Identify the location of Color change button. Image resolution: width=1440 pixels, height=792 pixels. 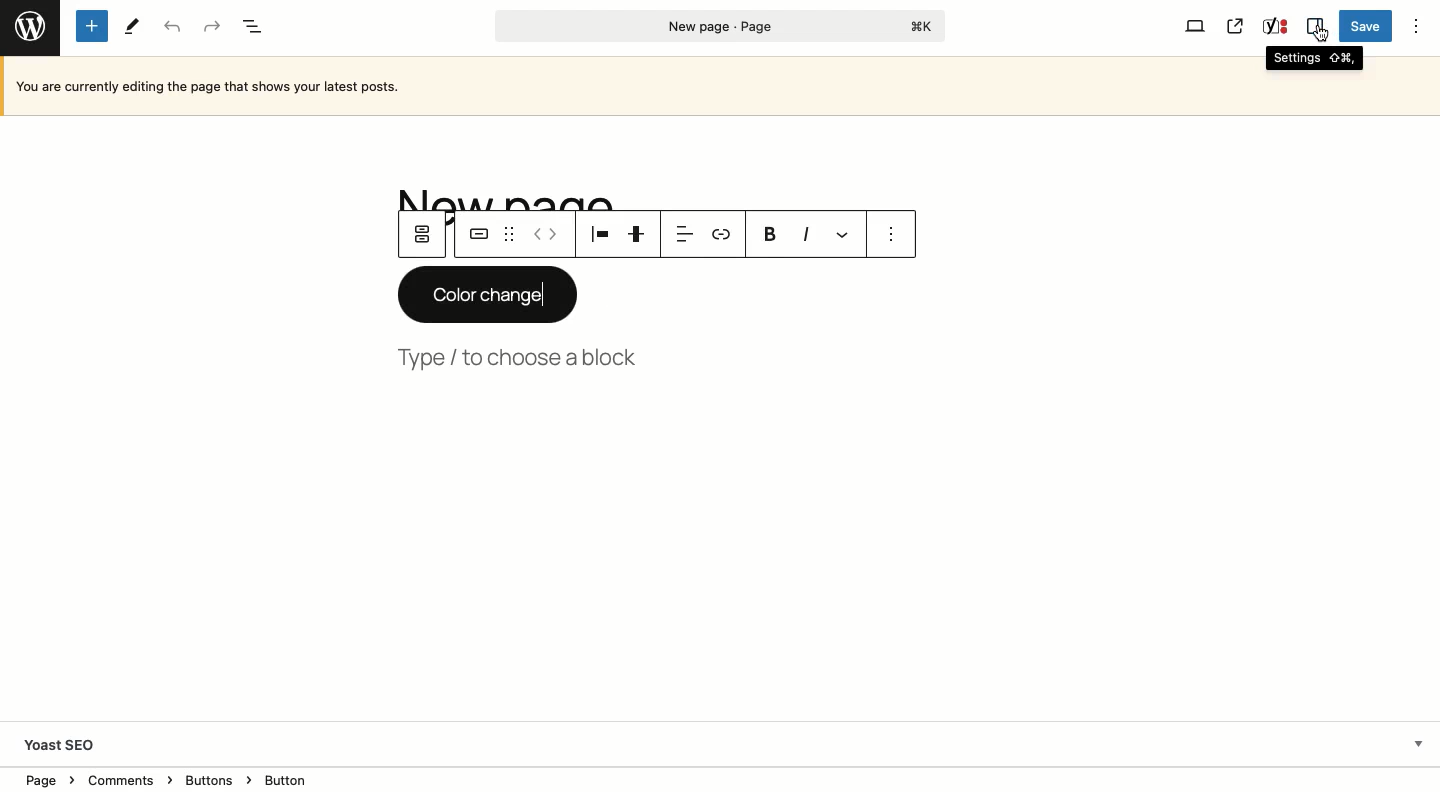
(488, 294).